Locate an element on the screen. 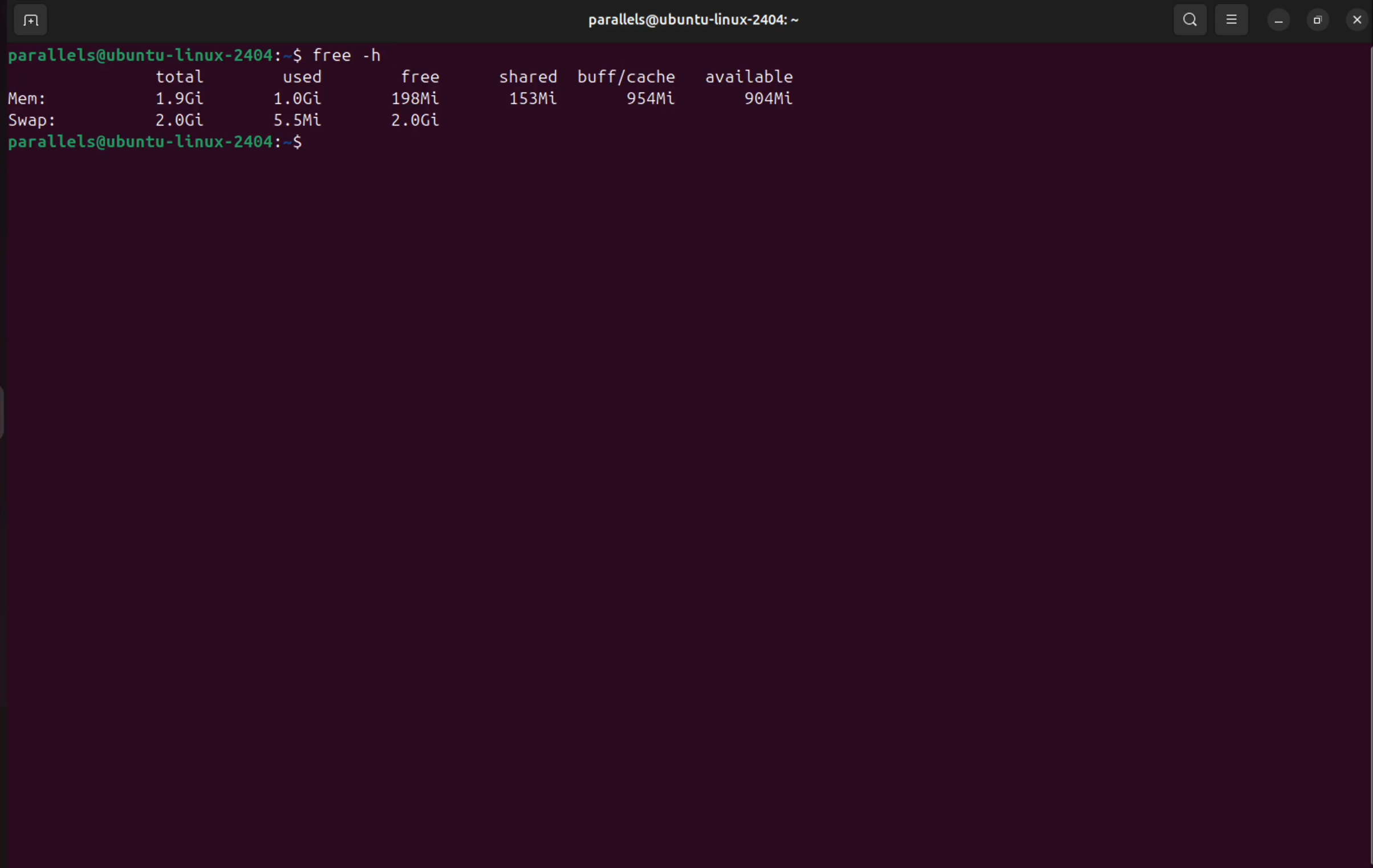 The width and height of the screenshot is (1373, 868). used is located at coordinates (307, 76).